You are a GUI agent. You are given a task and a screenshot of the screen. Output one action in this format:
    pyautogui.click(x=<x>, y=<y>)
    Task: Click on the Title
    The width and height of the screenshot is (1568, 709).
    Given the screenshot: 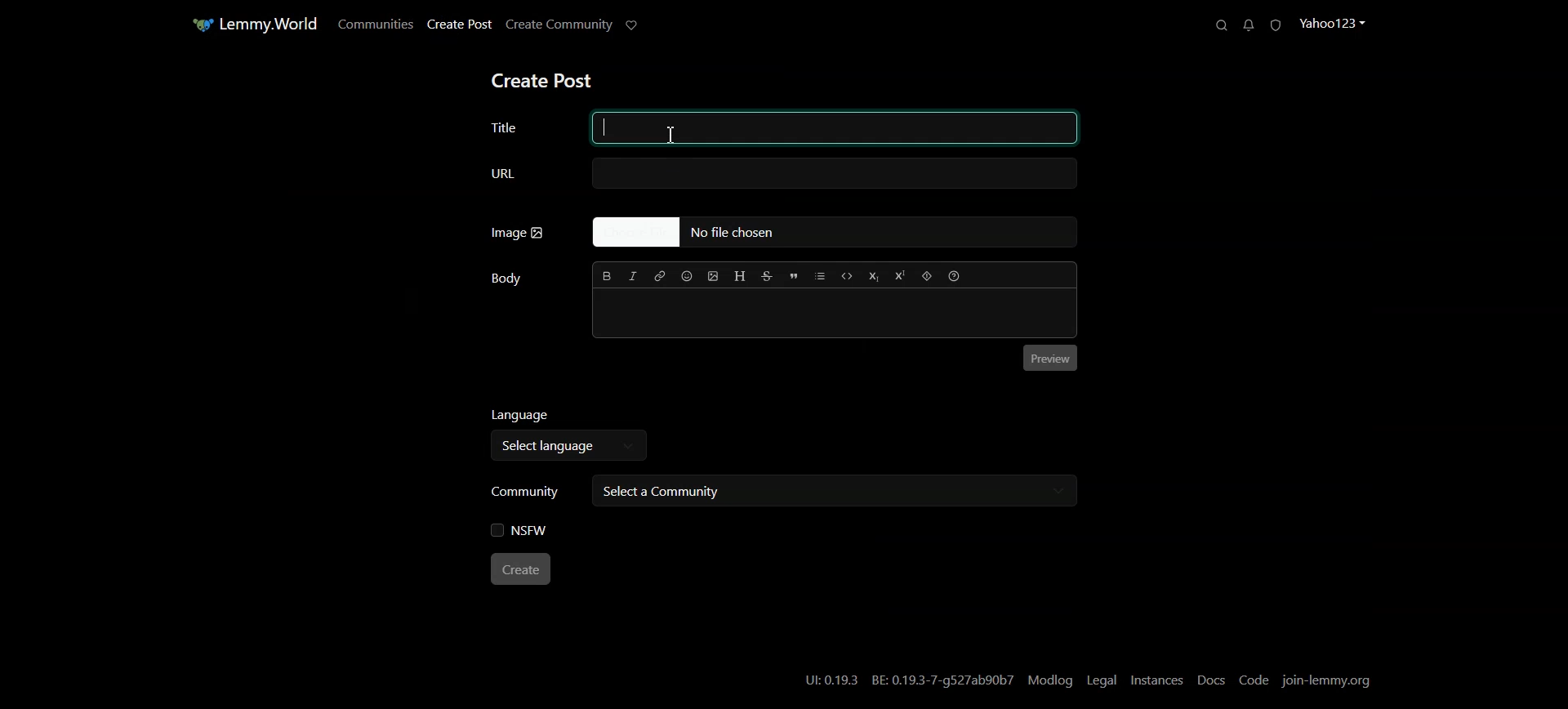 What is the action you would take?
    pyautogui.click(x=783, y=125)
    